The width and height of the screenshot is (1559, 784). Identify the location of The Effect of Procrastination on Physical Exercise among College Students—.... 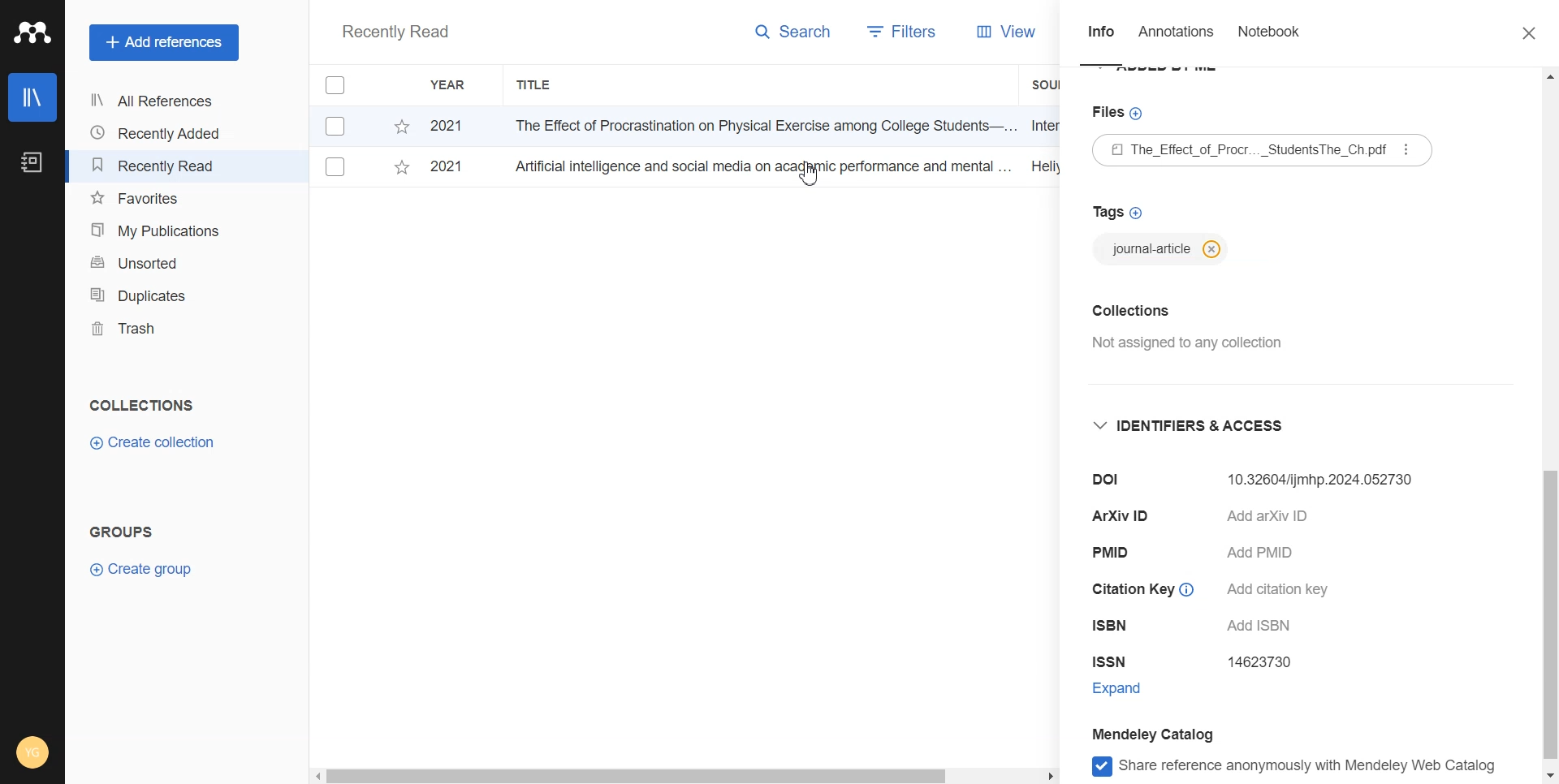
(759, 125).